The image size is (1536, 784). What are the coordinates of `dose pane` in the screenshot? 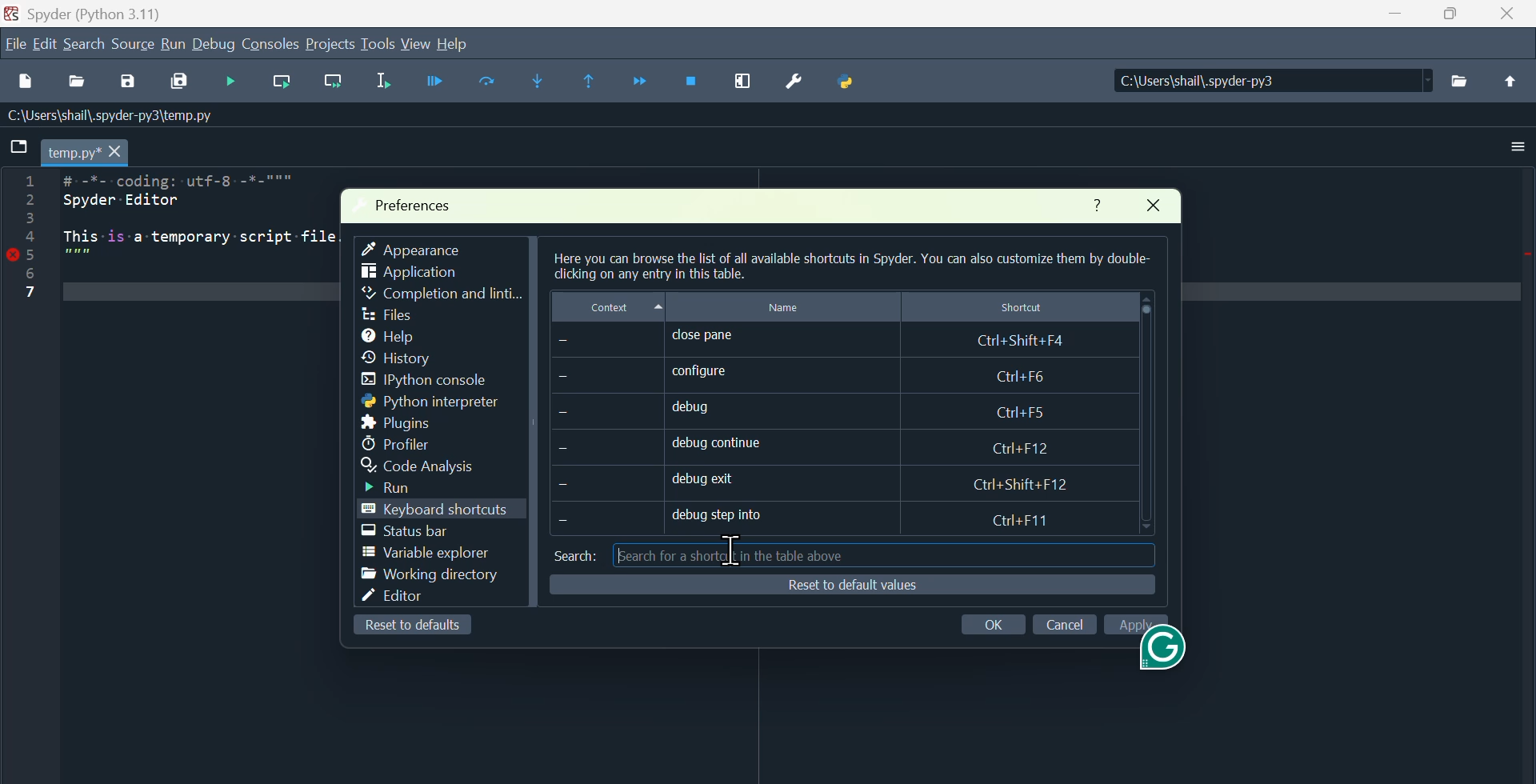 It's located at (846, 341).